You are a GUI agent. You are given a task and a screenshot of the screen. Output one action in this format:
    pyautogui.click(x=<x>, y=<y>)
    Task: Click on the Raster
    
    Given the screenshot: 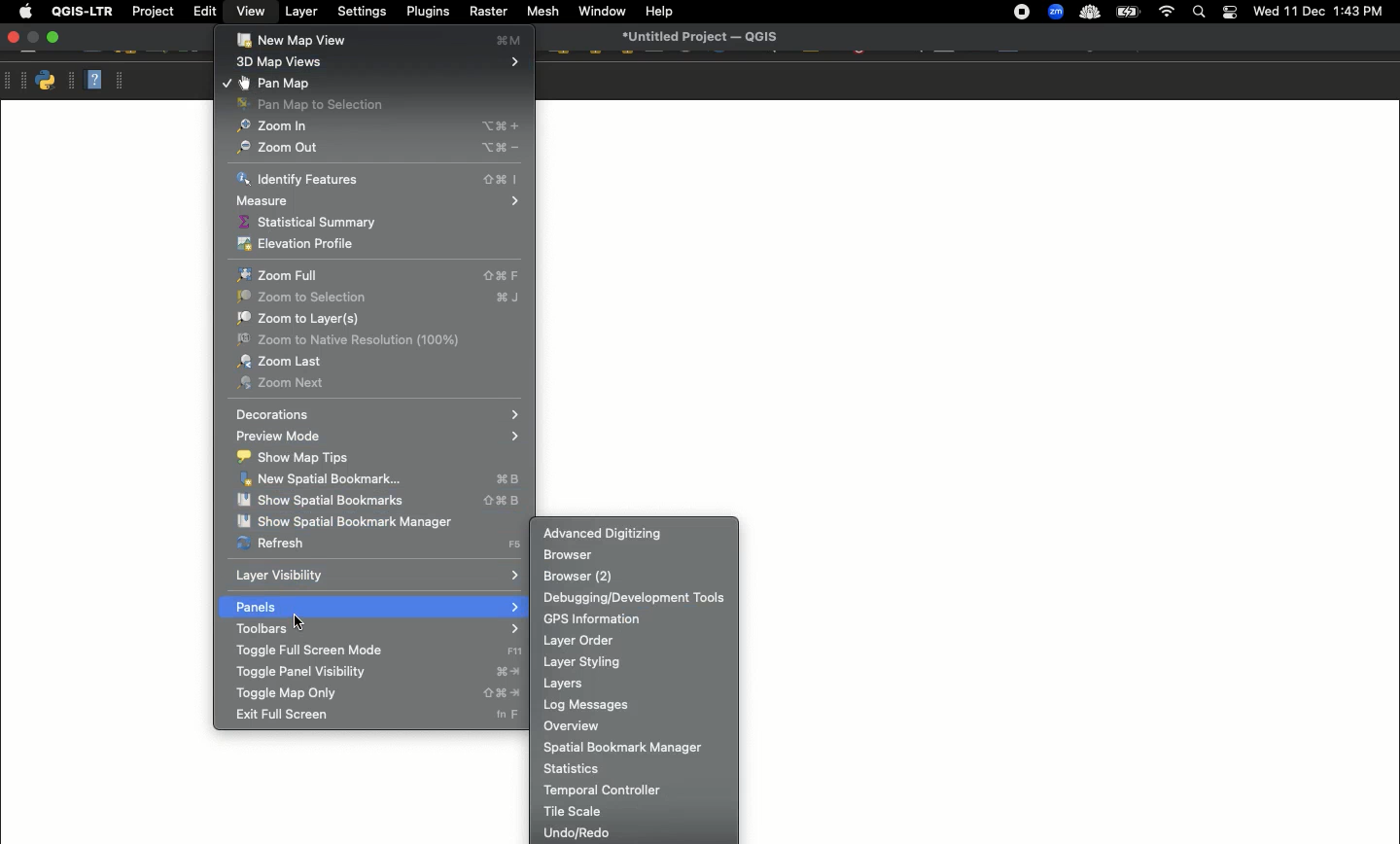 What is the action you would take?
    pyautogui.click(x=486, y=12)
    